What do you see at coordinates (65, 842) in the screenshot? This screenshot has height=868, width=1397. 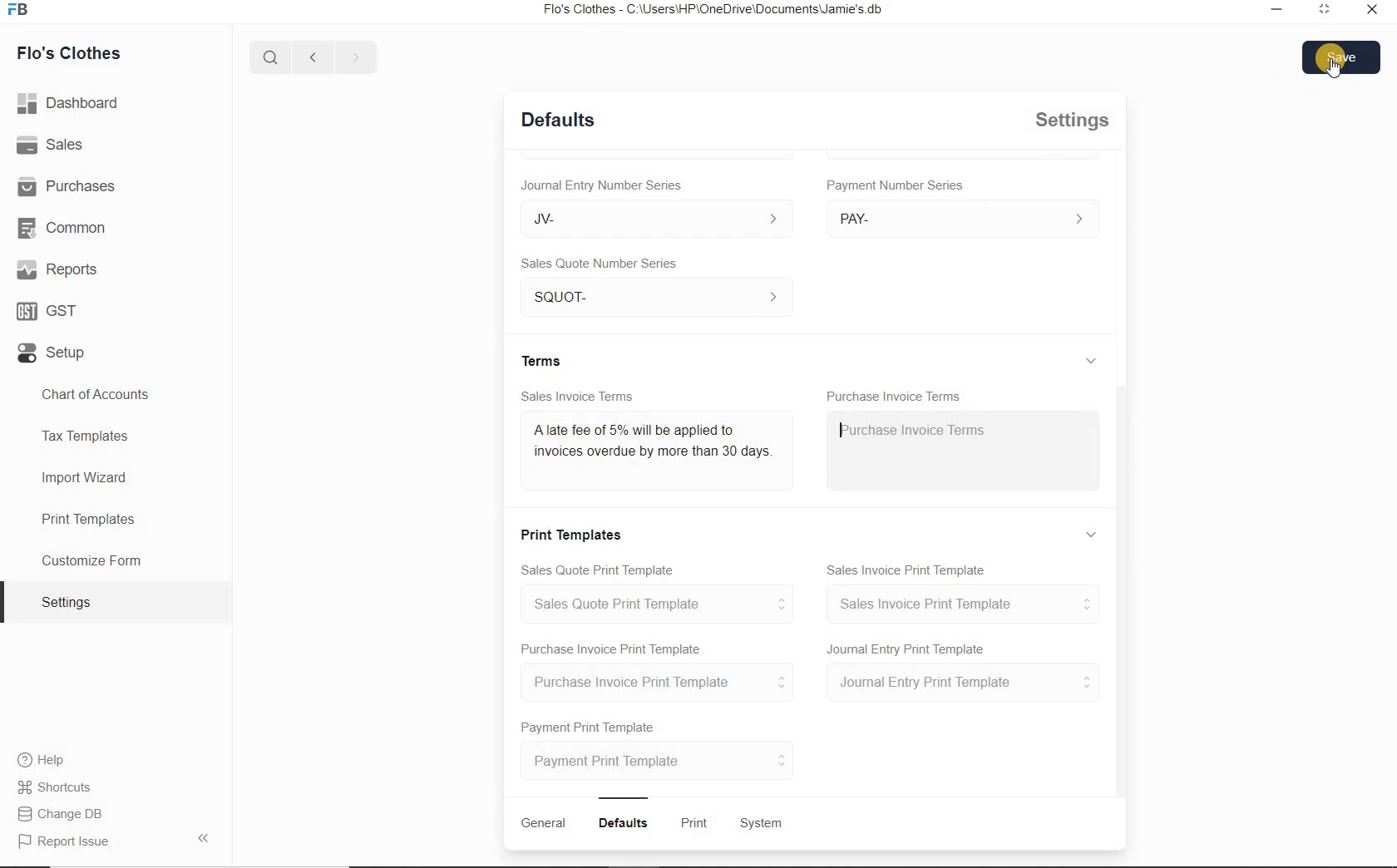 I see `Report issue` at bounding box center [65, 842].